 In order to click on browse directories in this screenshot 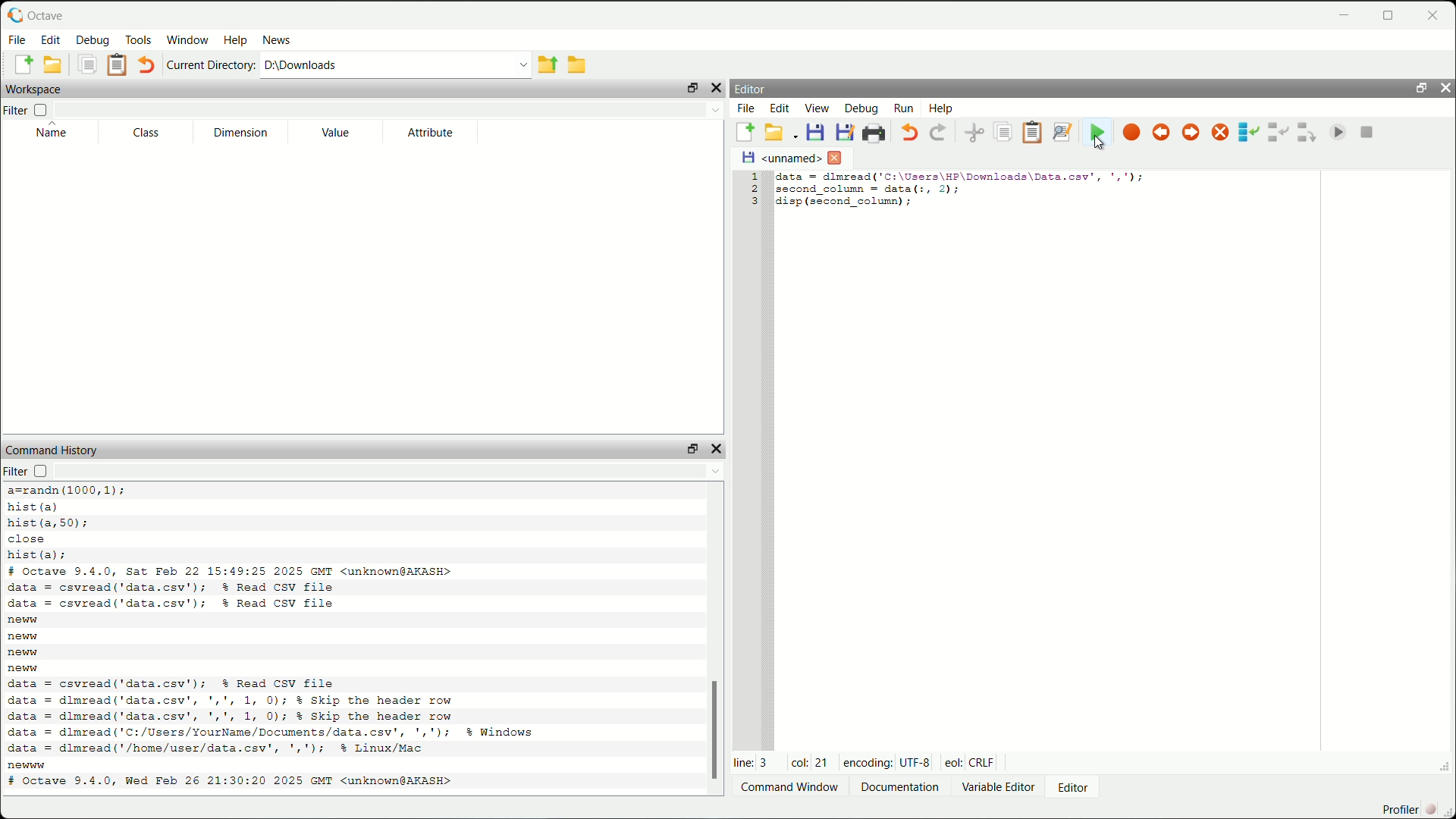, I will do `click(578, 64)`.